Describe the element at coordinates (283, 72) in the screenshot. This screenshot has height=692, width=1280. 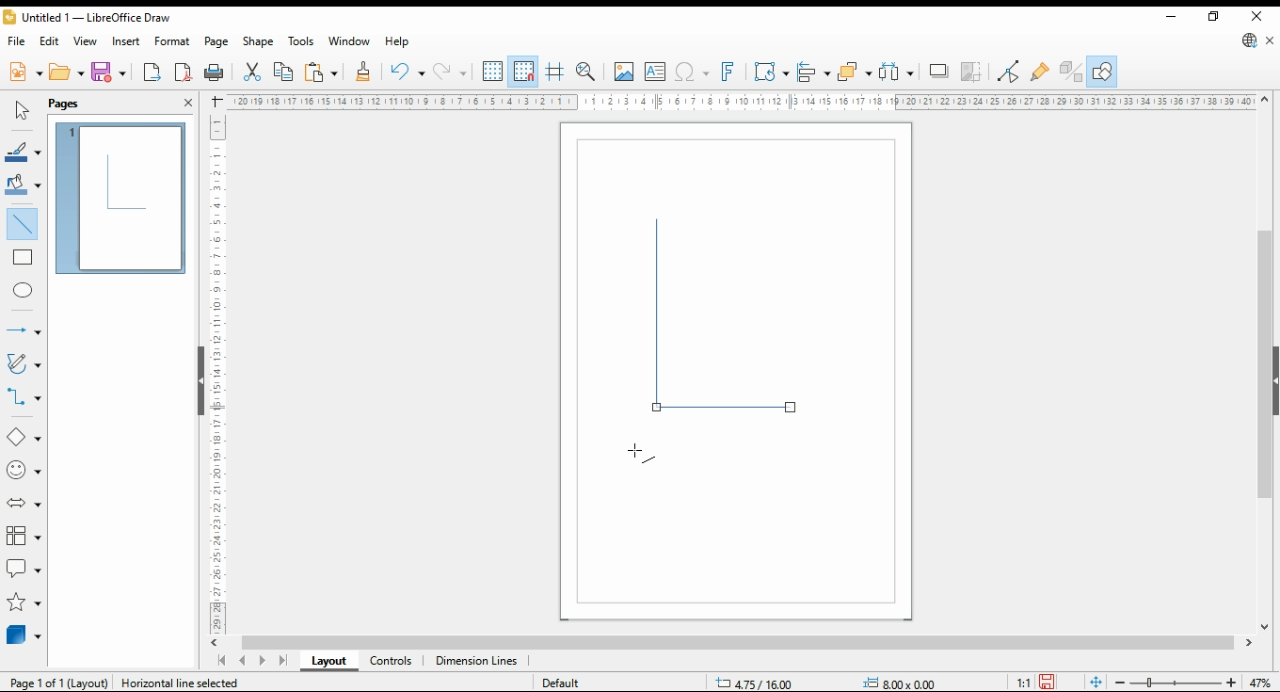
I see `copy` at that location.